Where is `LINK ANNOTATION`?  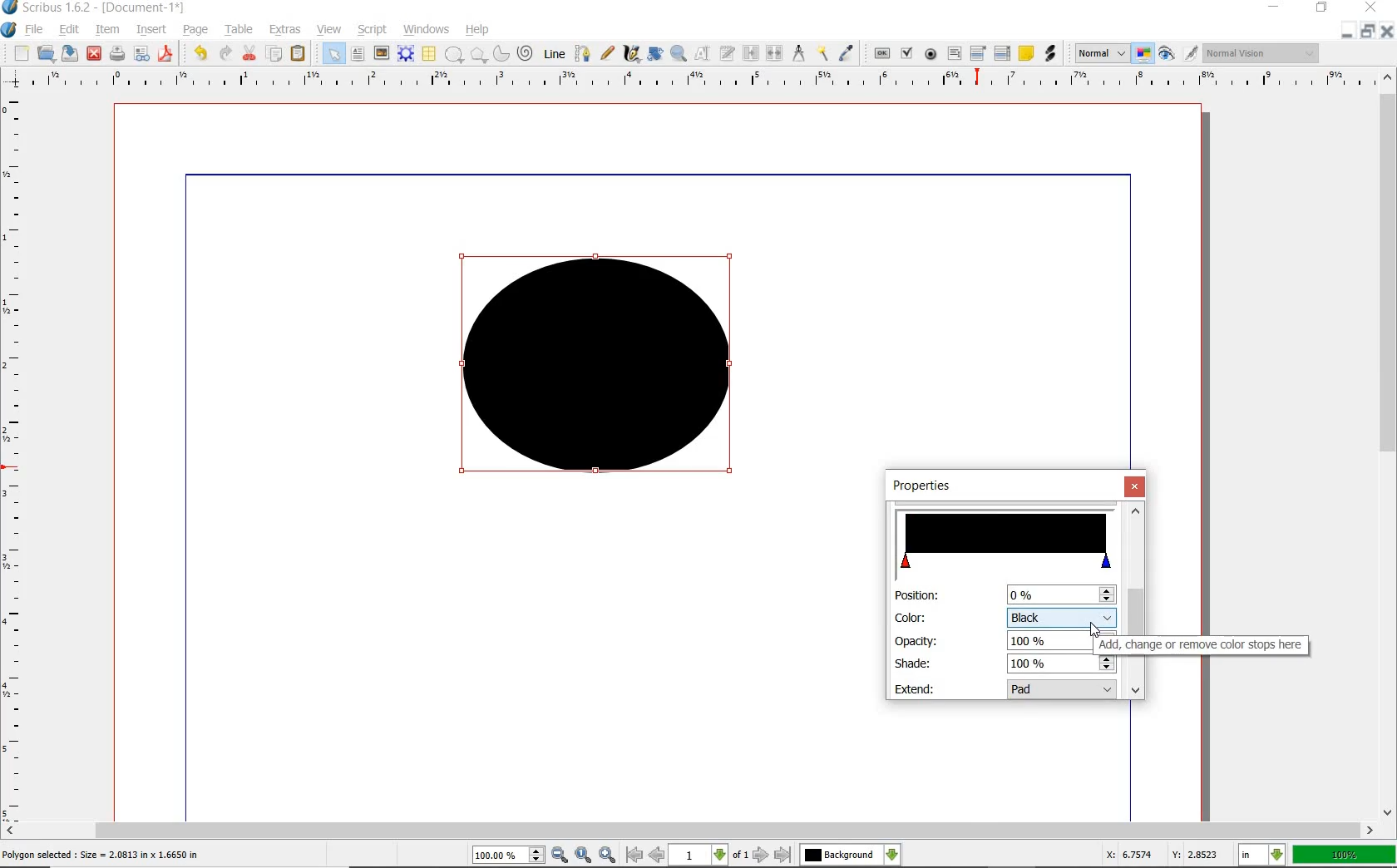 LINK ANNOTATION is located at coordinates (1051, 54).